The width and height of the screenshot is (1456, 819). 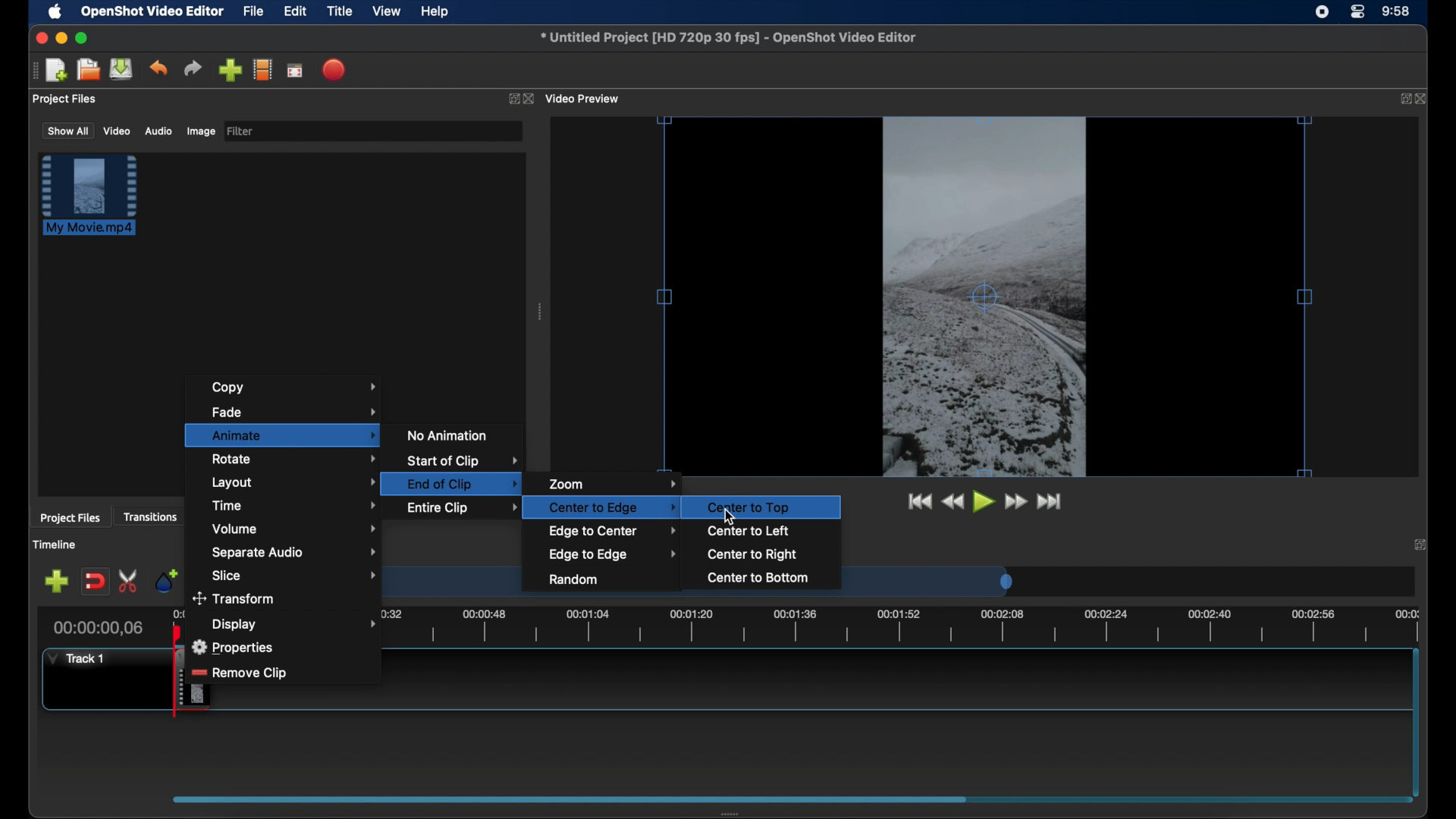 I want to click on expand, so click(x=1401, y=99).